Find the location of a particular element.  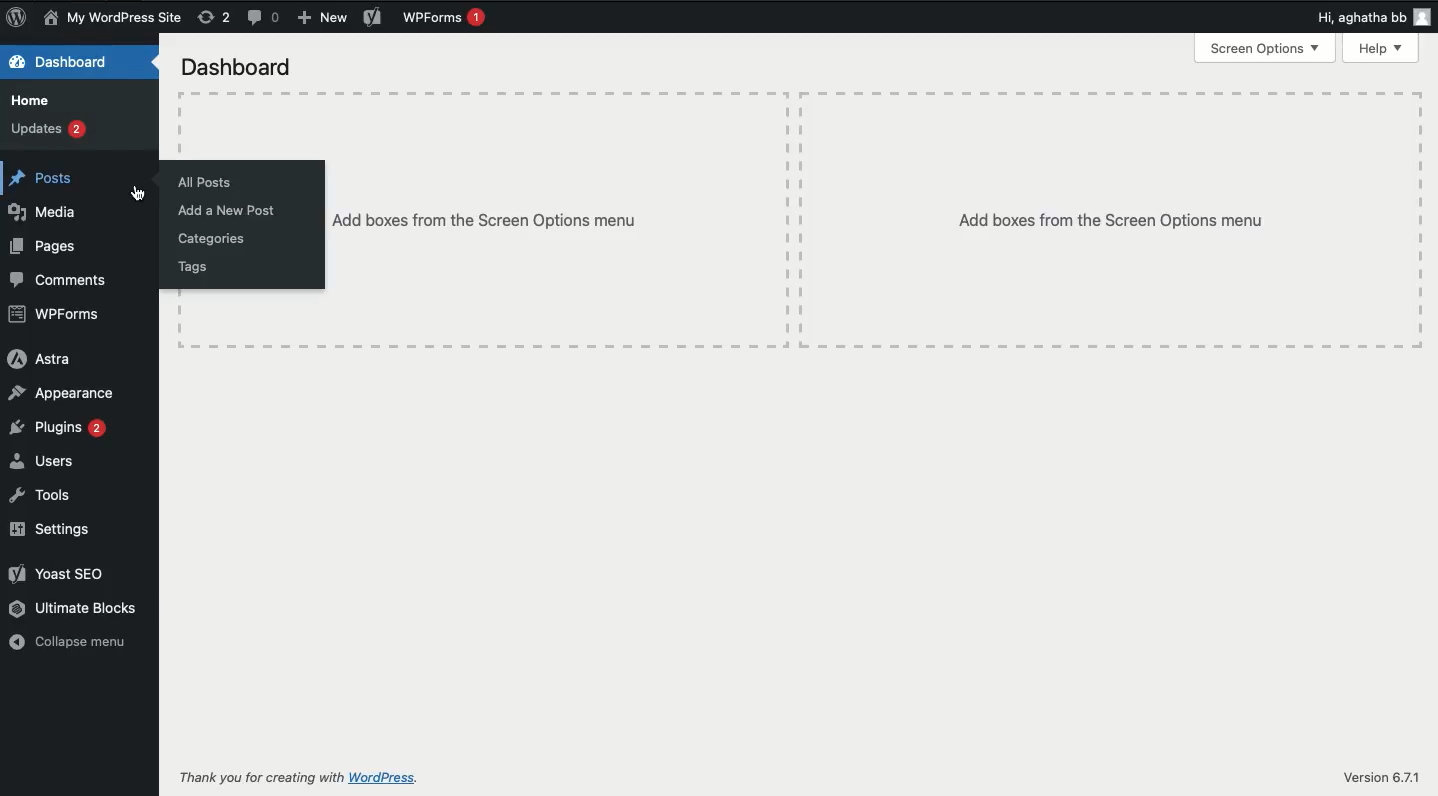

WPForms is located at coordinates (54, 315).